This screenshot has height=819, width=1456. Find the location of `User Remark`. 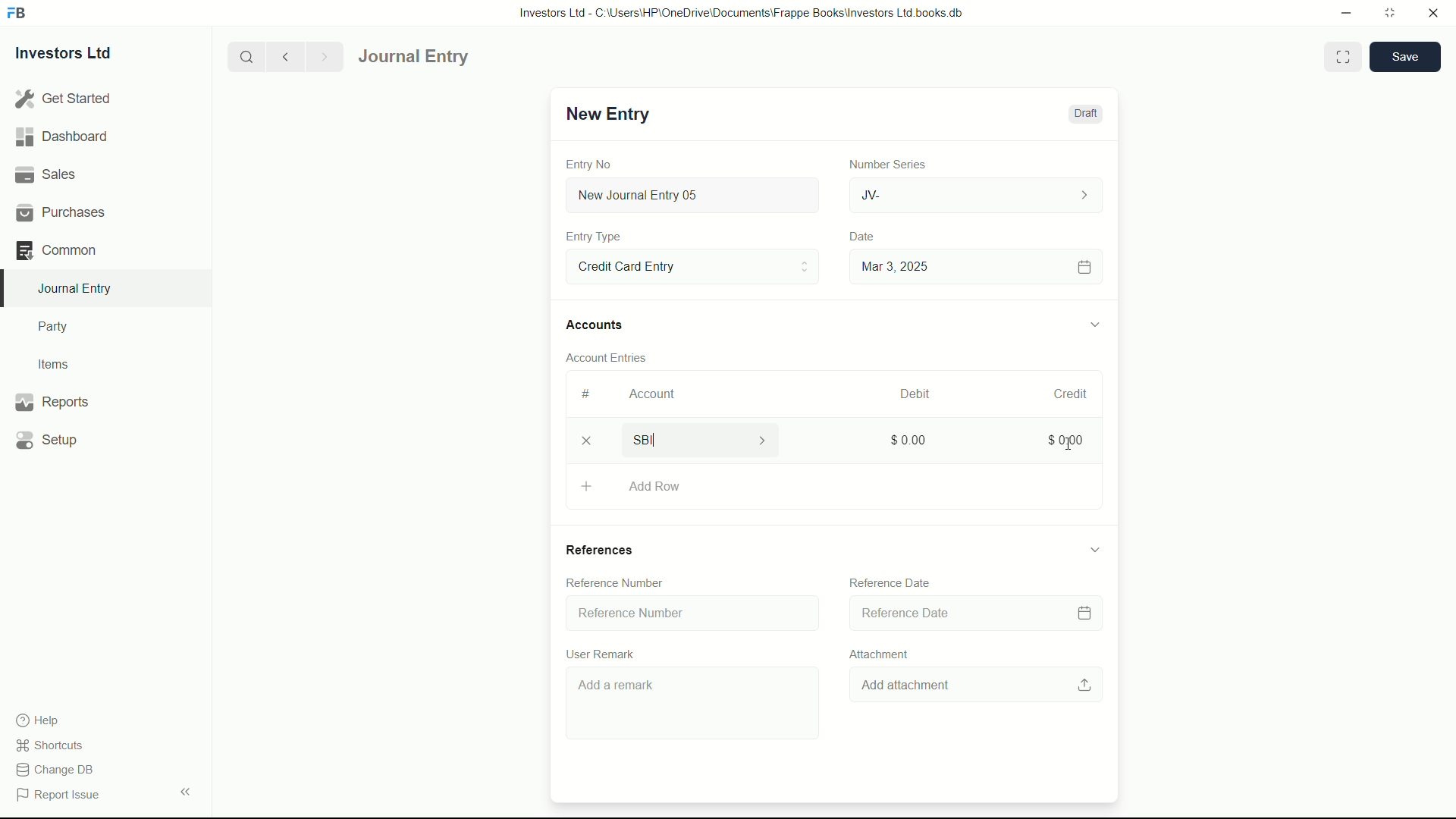

User Remark is located at coordinates (604, 651).